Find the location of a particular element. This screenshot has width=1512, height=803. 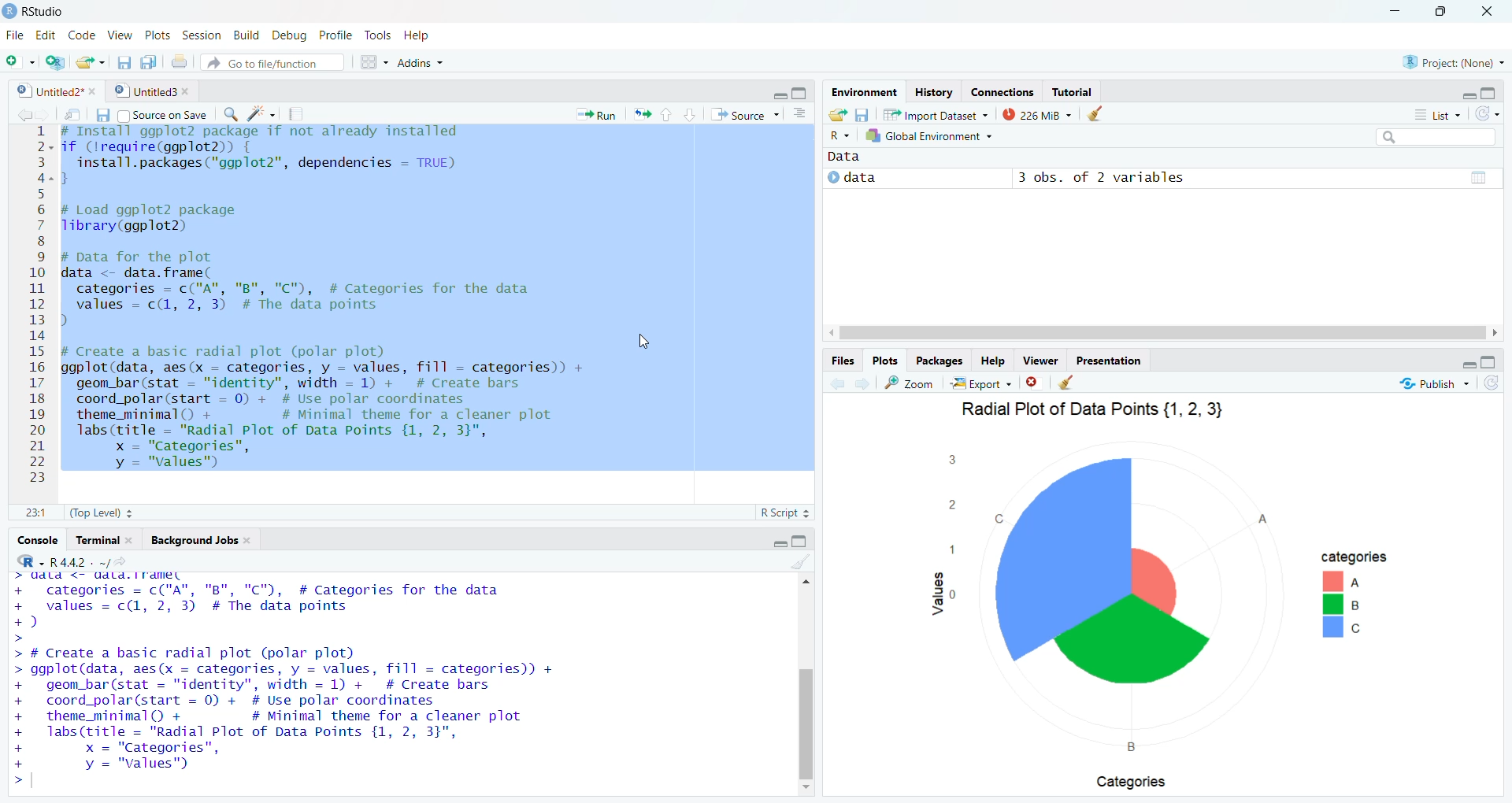

Refresh theme is located at coordinates (1490, 113).